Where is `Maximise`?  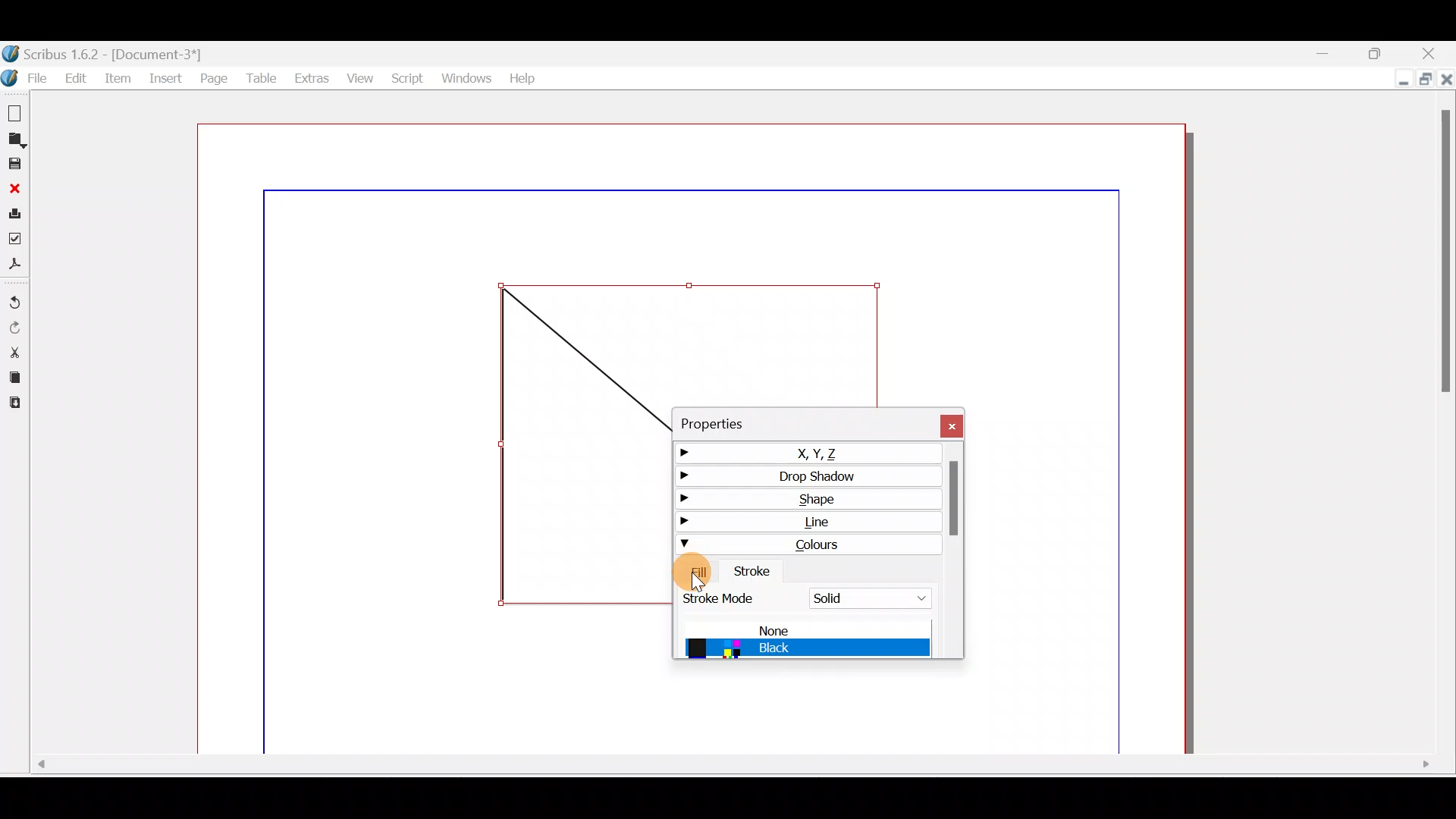
Maximise is located at coordinates (1426, 81).